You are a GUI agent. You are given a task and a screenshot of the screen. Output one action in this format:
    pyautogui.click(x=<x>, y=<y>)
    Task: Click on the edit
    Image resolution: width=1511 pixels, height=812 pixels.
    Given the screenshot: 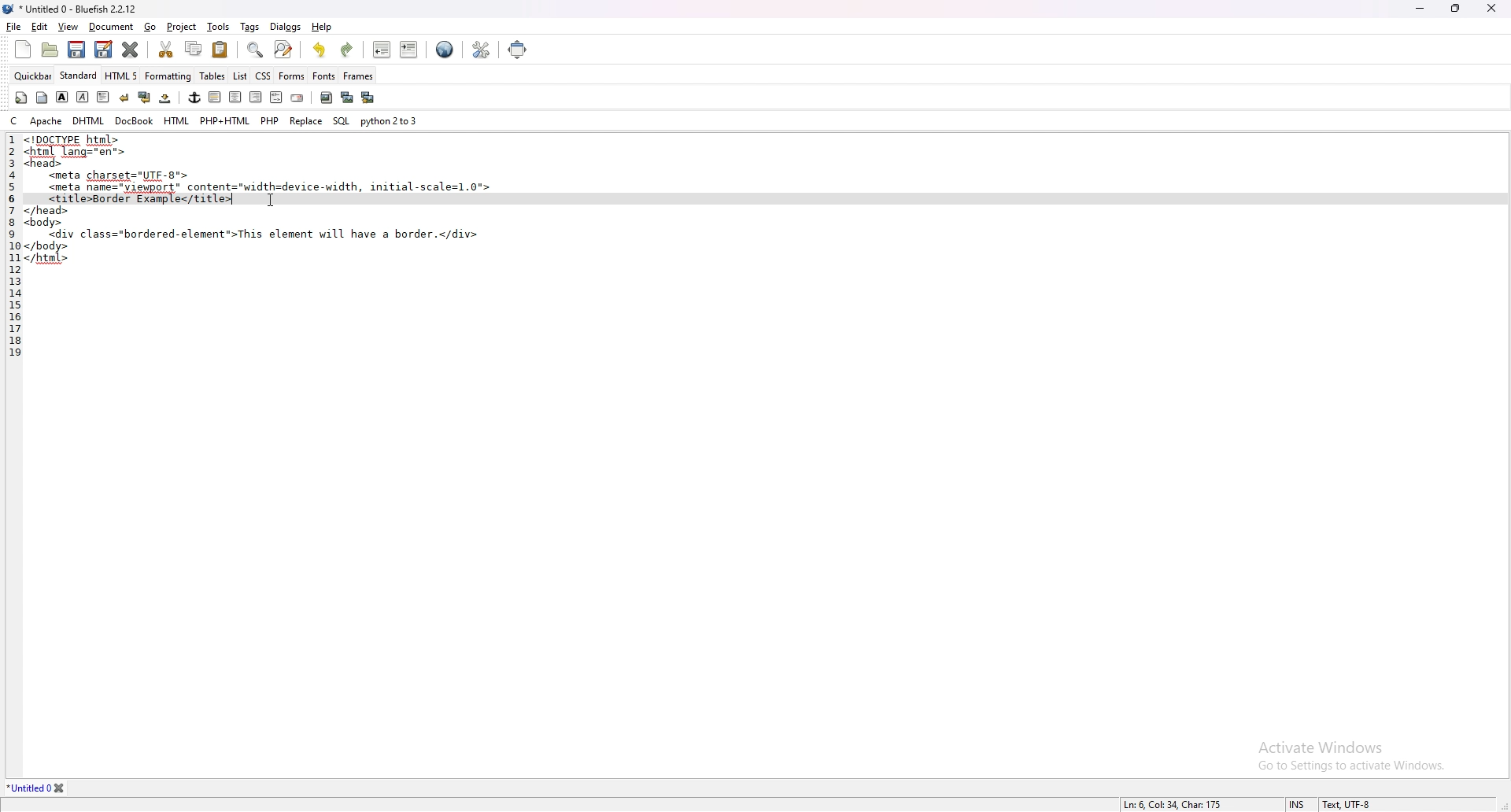 What is the action you would take?
    pyautogui.click(x=39, y=28)
    